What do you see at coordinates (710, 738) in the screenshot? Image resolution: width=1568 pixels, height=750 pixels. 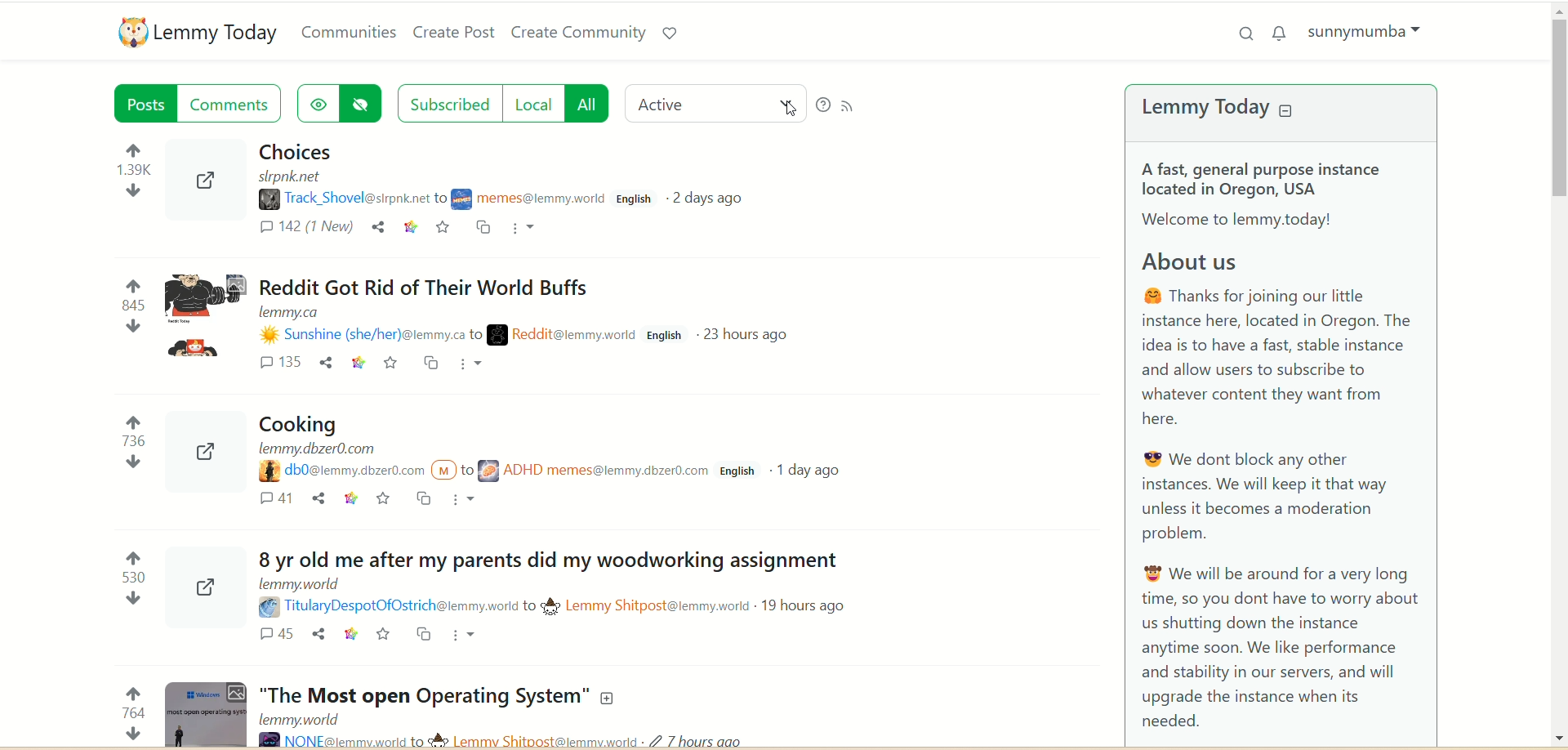 I see `7 hours ago` at bounding box center [710, 738].